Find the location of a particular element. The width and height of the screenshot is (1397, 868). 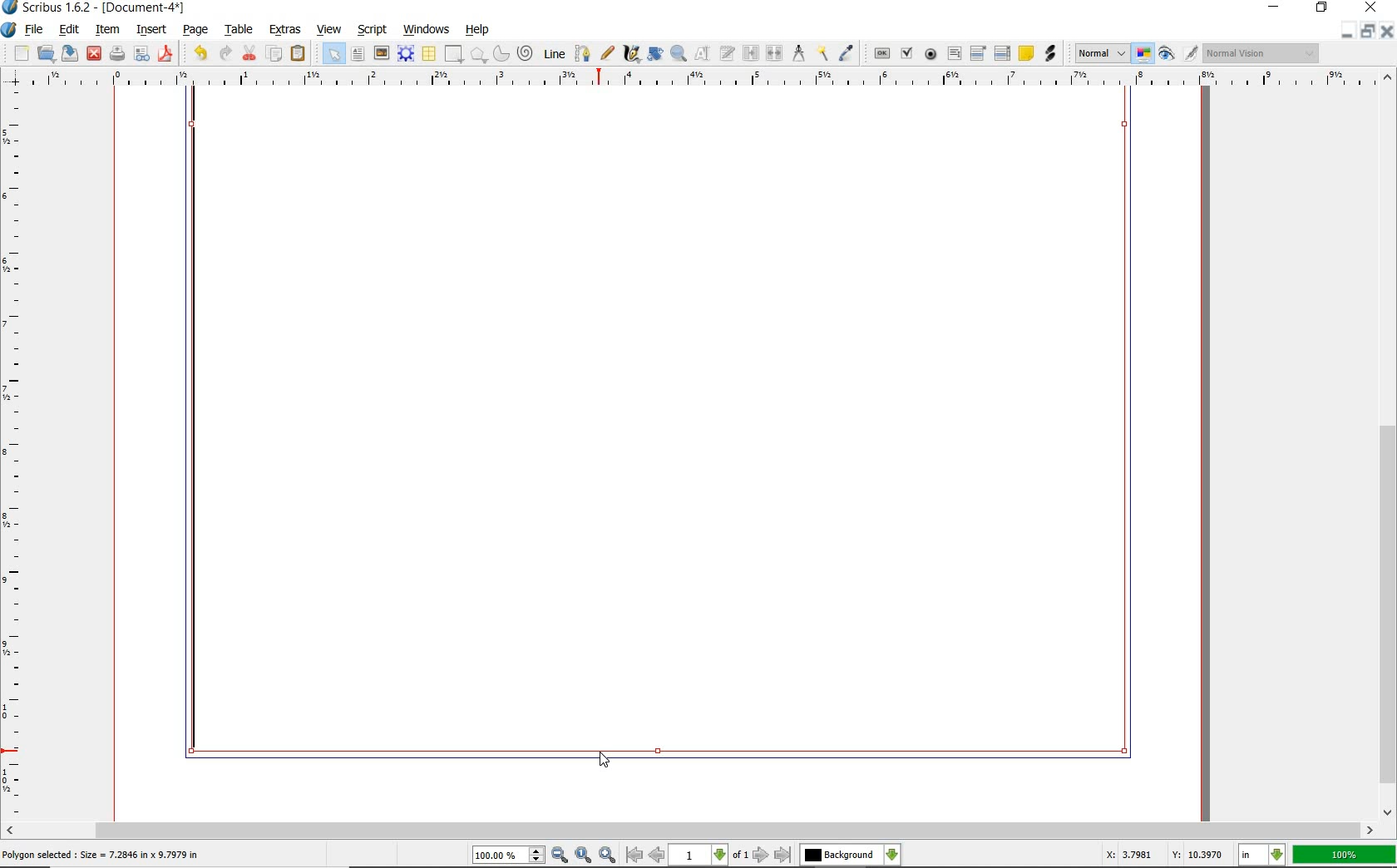

zoom to 100% is located at coordinates (585, 855).